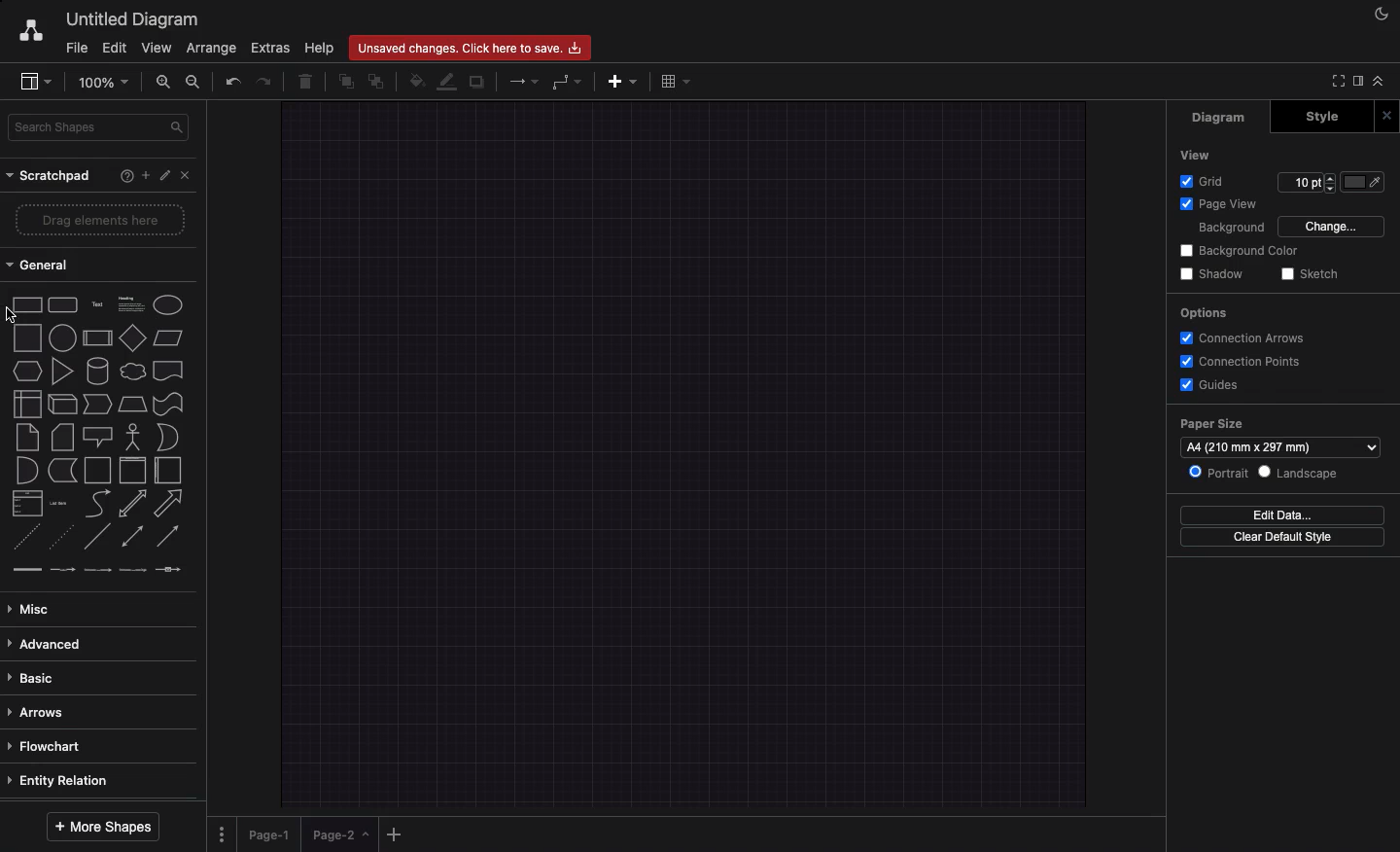  I want to click on Close, so click(189, 176).